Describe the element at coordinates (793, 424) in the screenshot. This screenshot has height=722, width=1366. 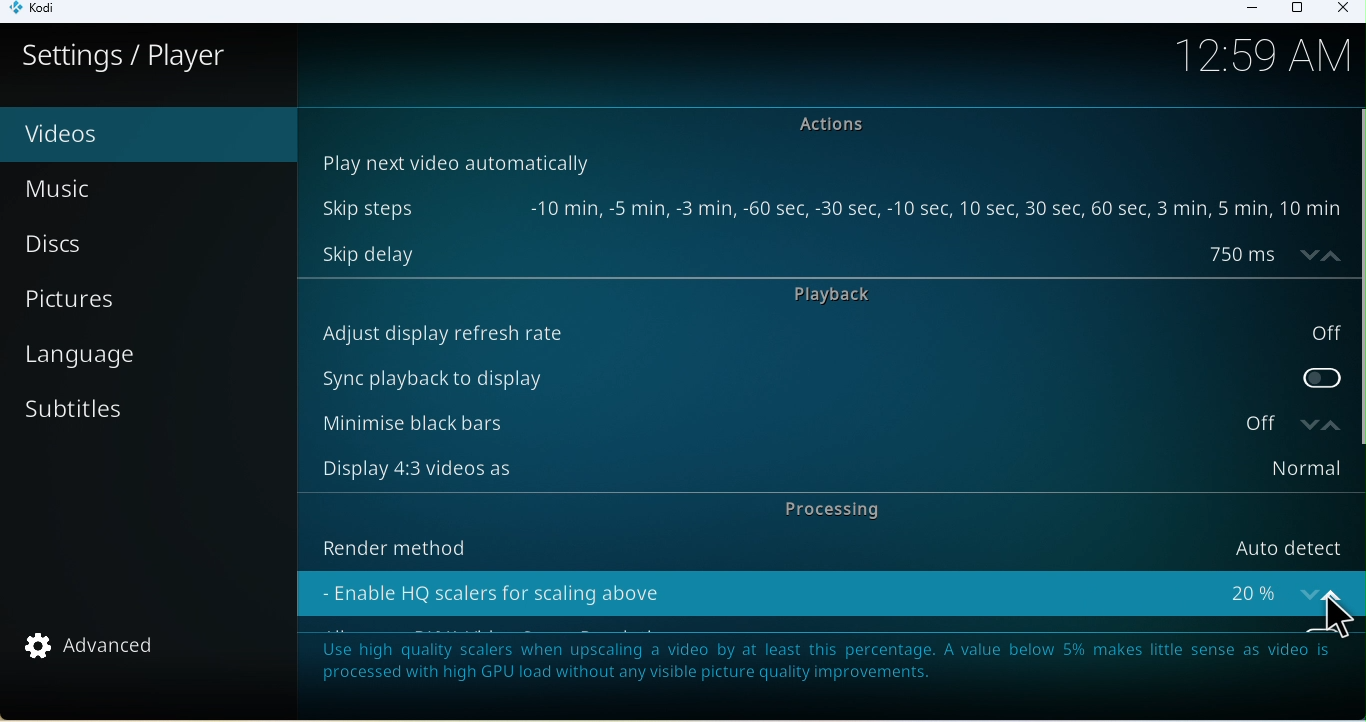
I see `Minimize black bars` at that location.